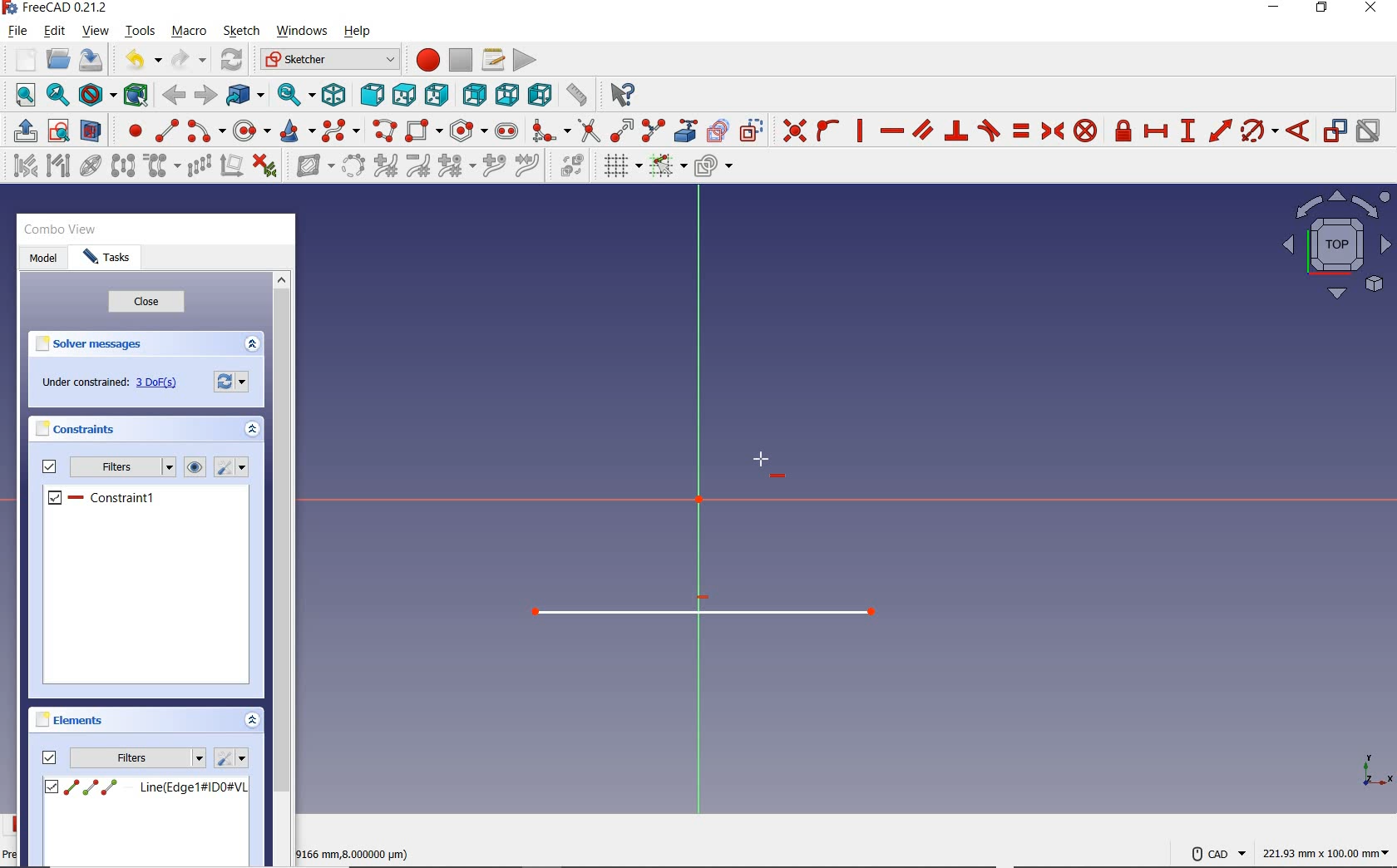 This screenshot has height=868, width=1397. What do you see at coordinates (340, 131) in the screenshot?
I see `CREATE B-SPLINE` at bounding box center [340, 131].